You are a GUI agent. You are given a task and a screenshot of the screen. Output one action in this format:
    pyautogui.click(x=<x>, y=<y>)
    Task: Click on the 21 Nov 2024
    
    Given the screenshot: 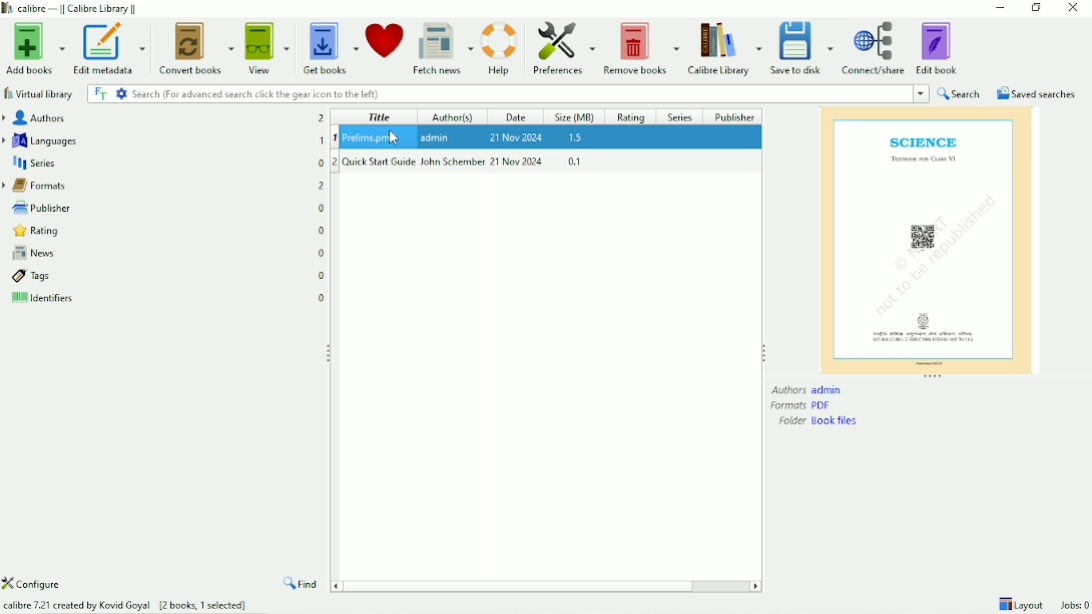 What is the action you would take?
    pyautogui.click(x=516, y=136)
    